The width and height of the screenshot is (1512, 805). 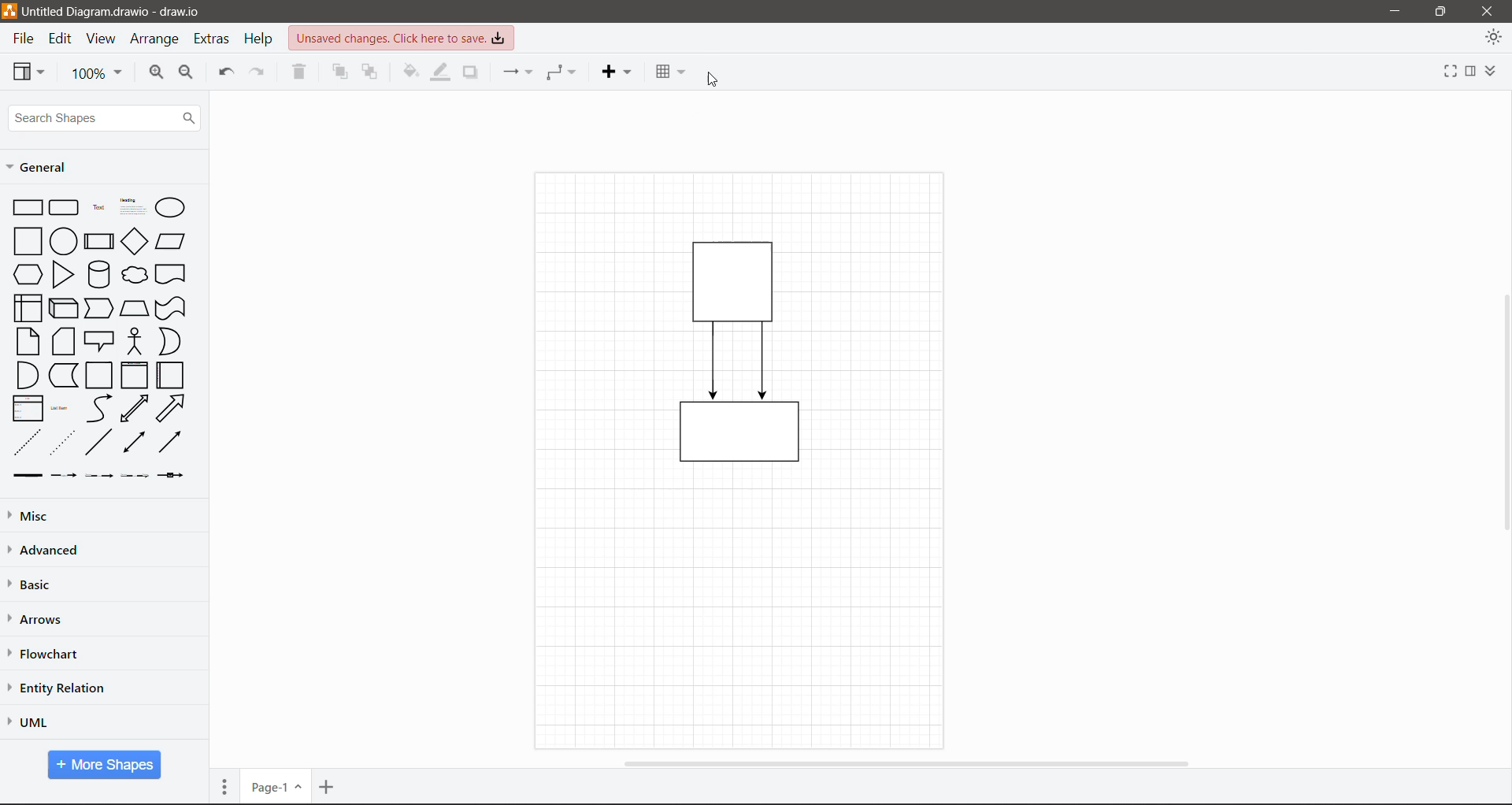 What do you see at coordinates (132, 206) in the screenshot?
I see `Textbox` at bounding box center [132, 206].